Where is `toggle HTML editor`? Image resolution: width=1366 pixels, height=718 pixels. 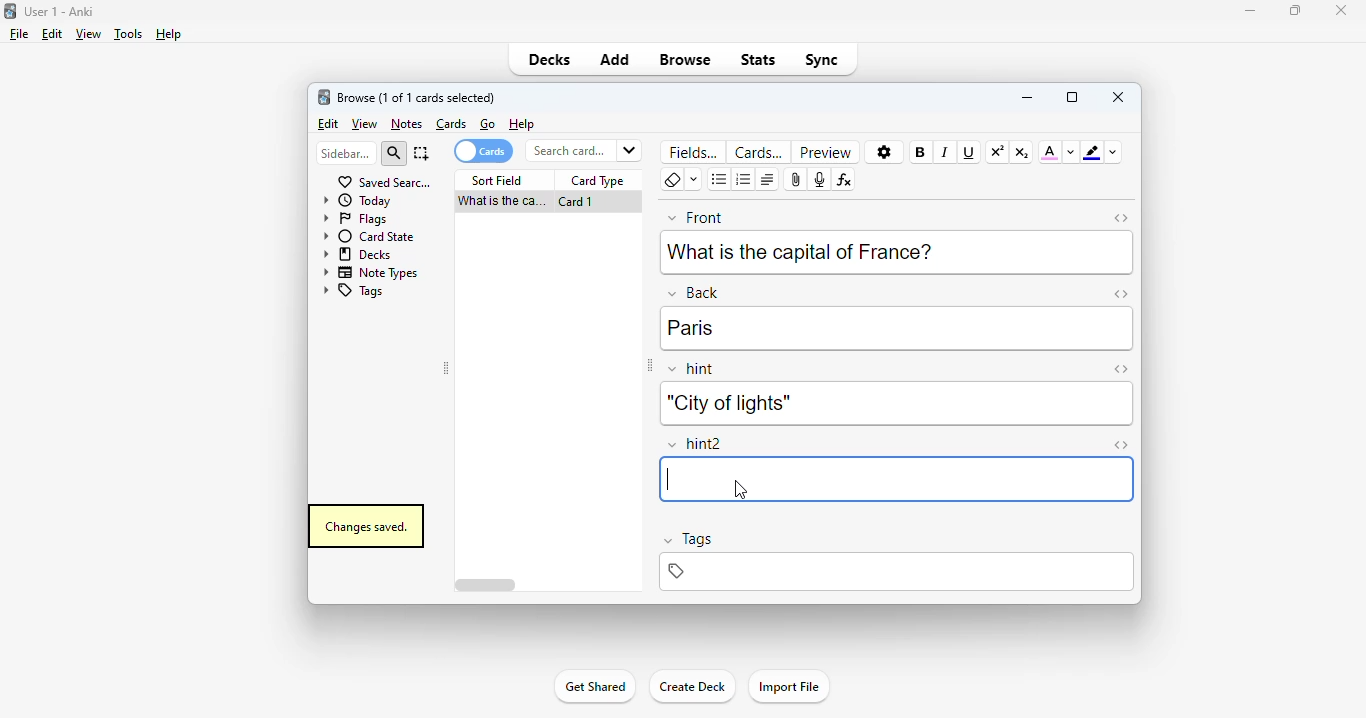 toggle HTML editor is located at coordinates (1121, 446).